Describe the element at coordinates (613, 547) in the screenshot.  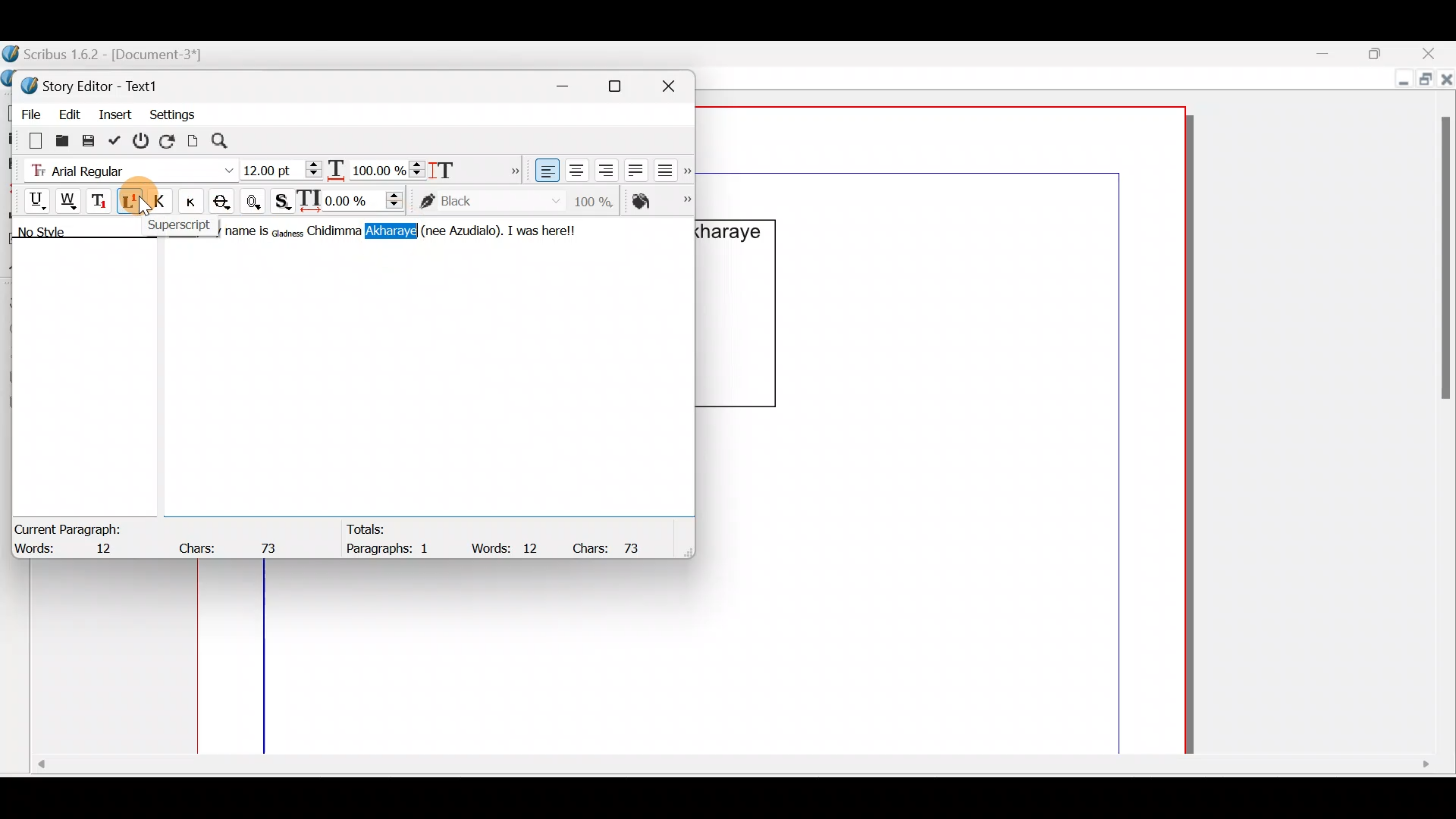
I see `Chars: 73` at that location.